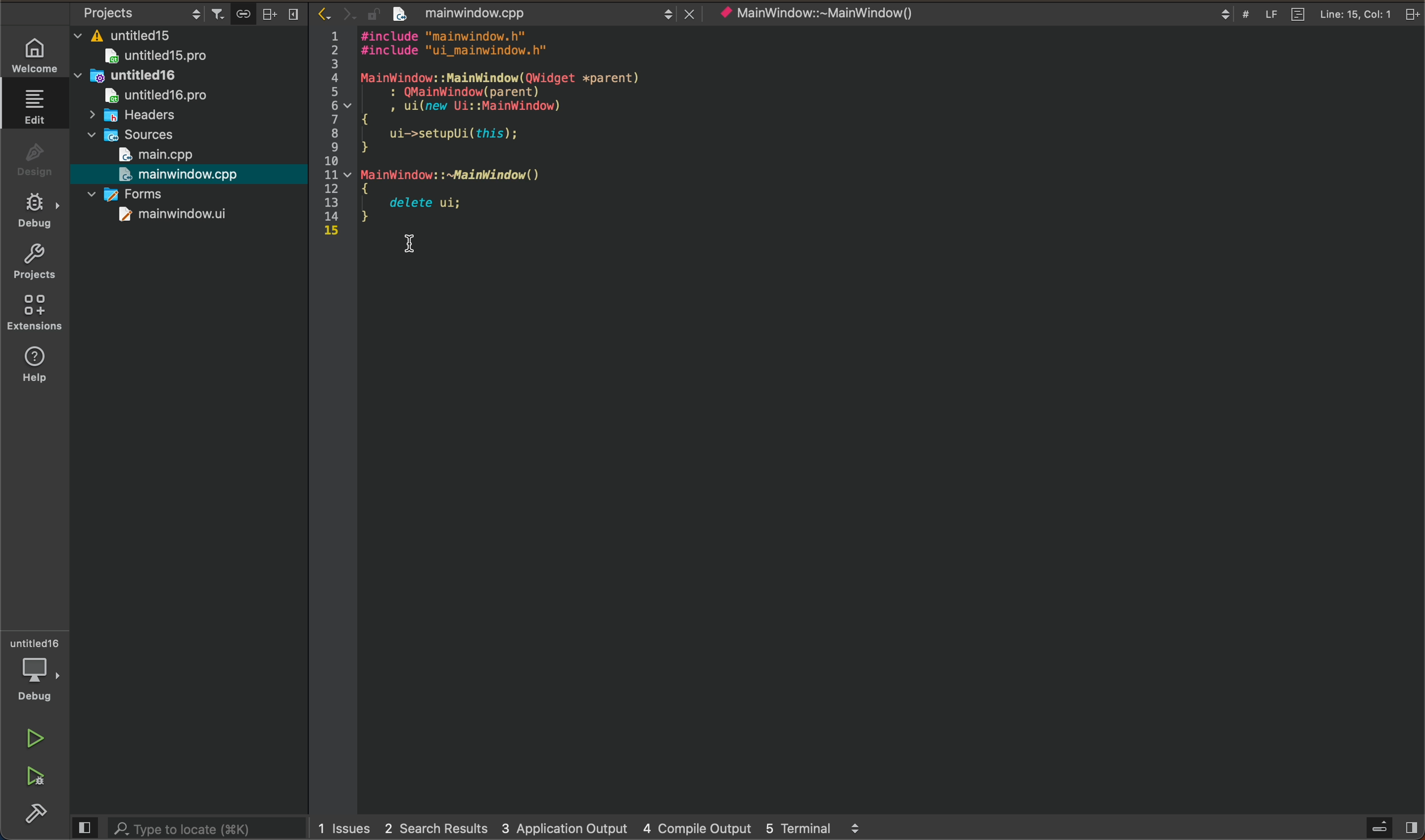 This screenshot has height=840, width=1425. Describe the element at coordinates (1262, 14) in the screenshot. I see `# LF` at that location.